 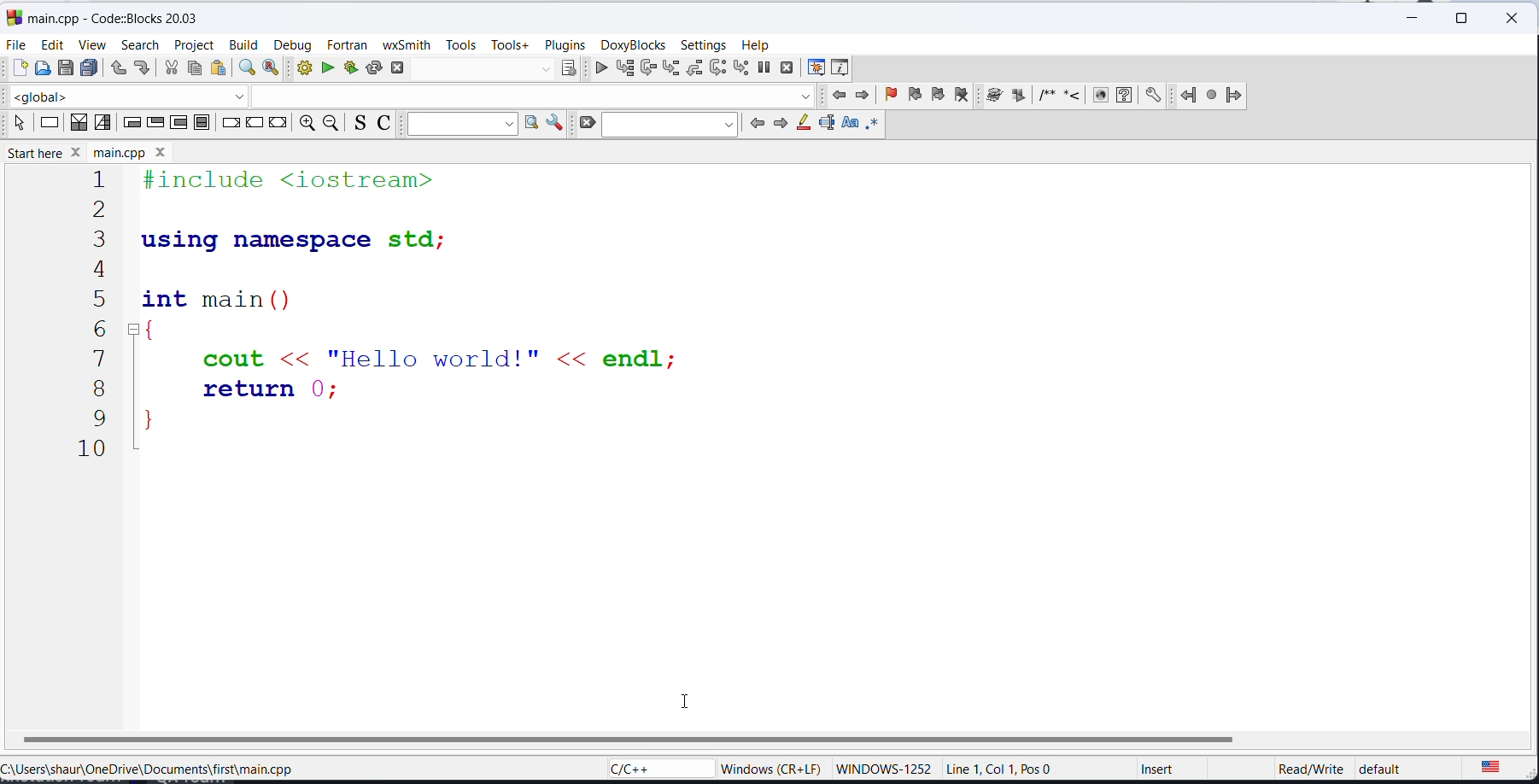 What do you see at coordinates (768, 768) in the screenshot?
I see `windows info` at bounding box center [768, 768].